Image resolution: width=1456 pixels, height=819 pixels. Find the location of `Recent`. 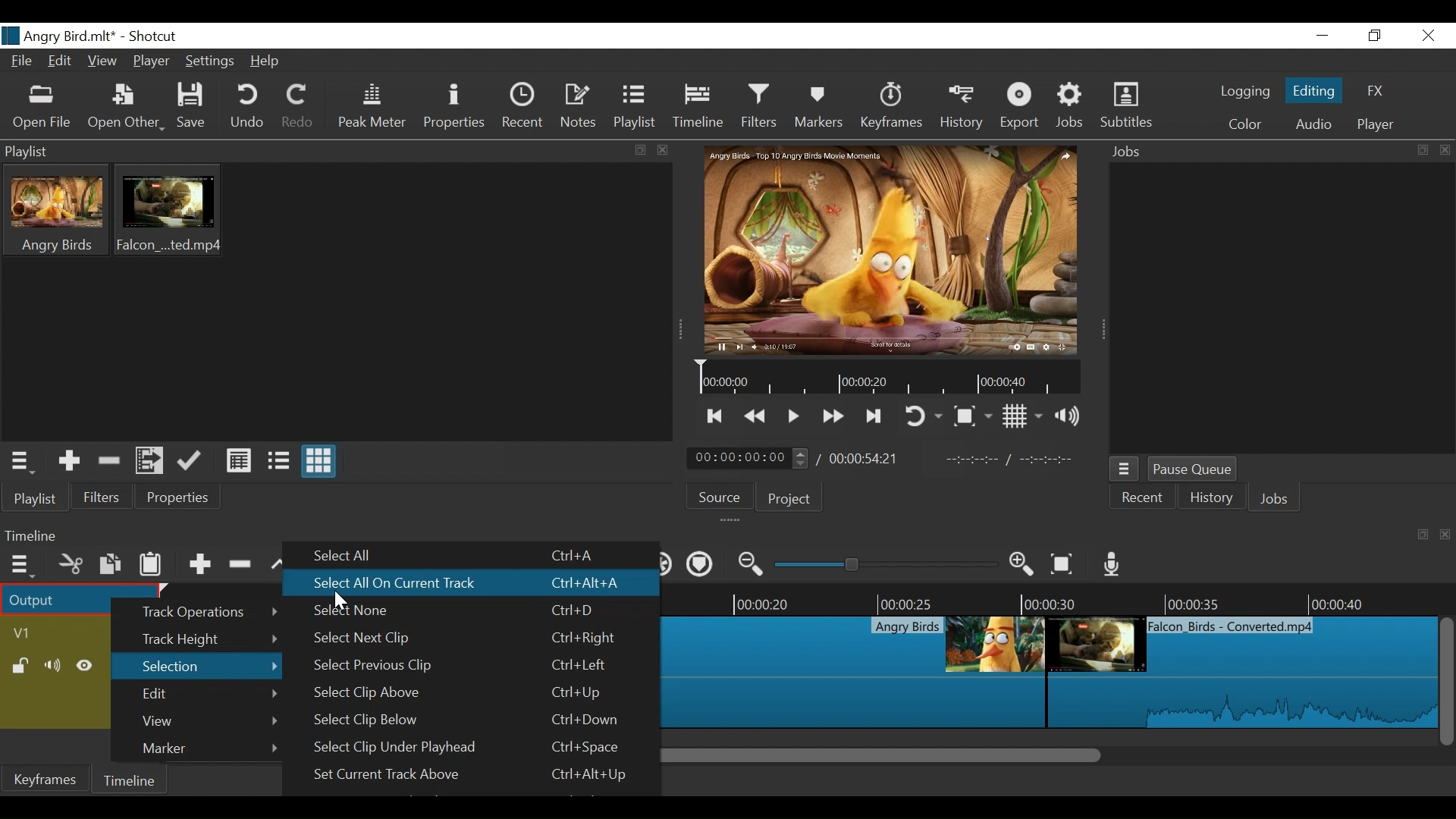

Recent is located at coordinates (1143, 499).